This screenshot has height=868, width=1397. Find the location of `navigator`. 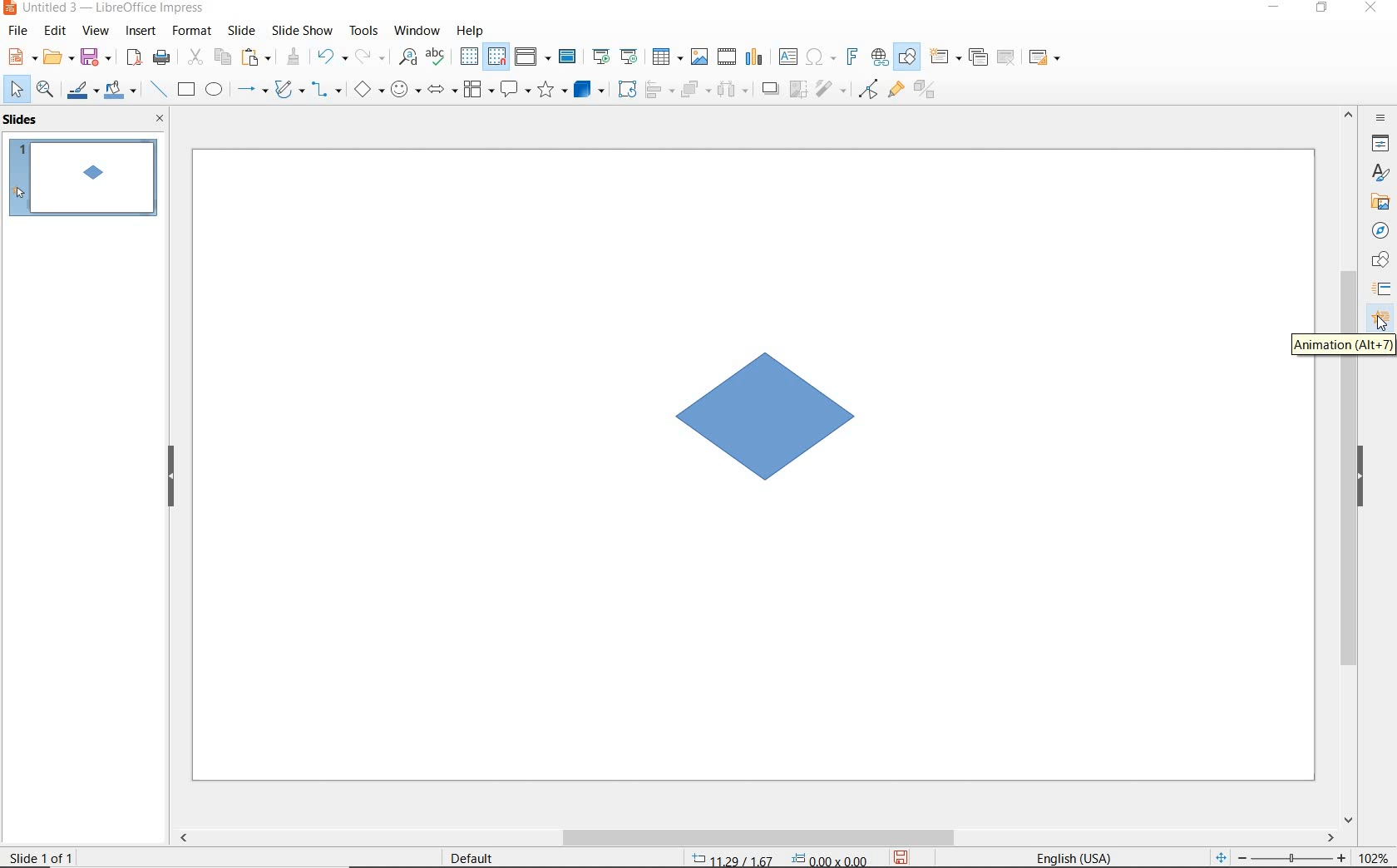

navigator is located at coordinates (1381, 230).